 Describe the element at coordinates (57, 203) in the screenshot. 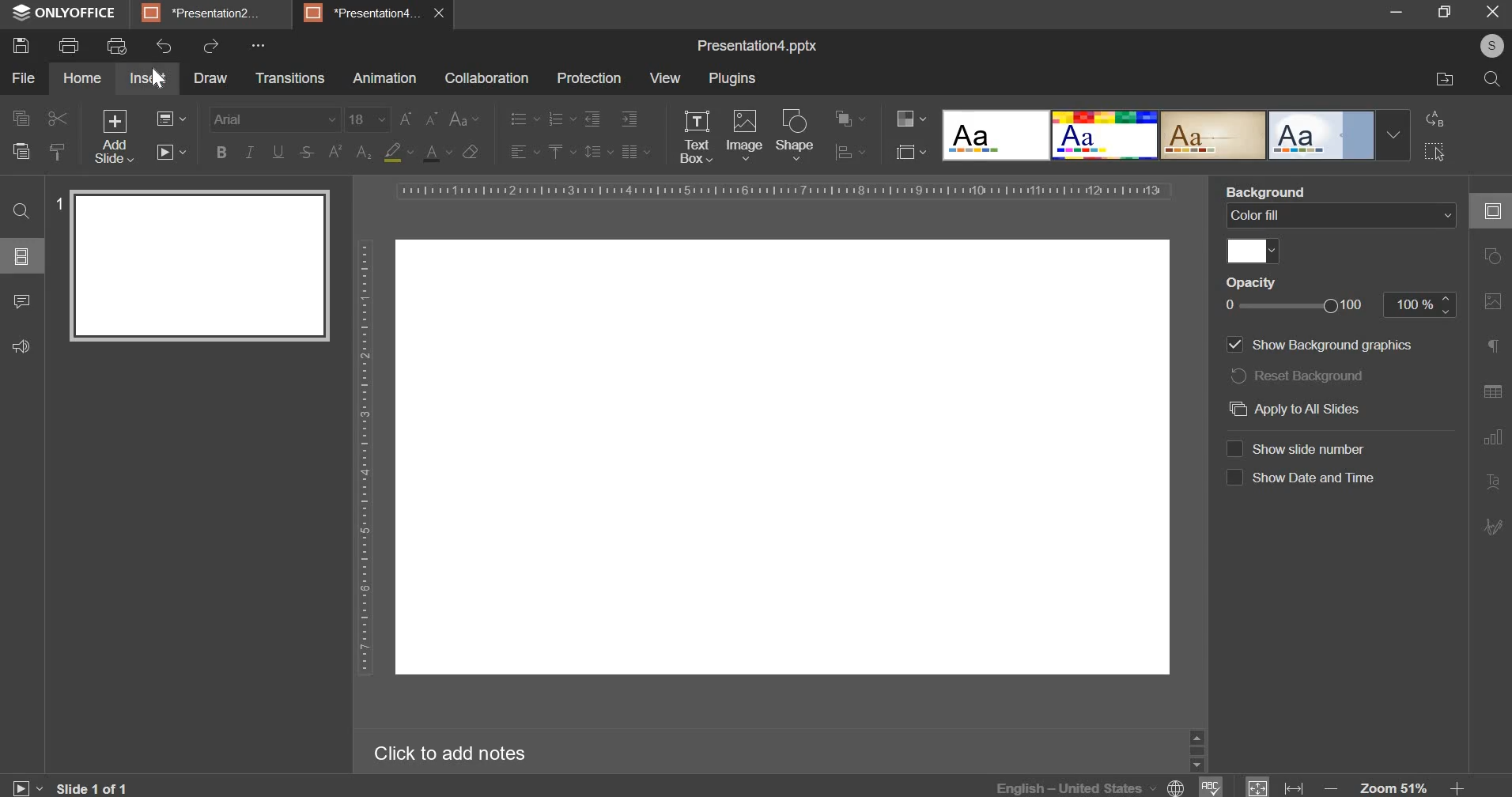

I see `1` at that location.